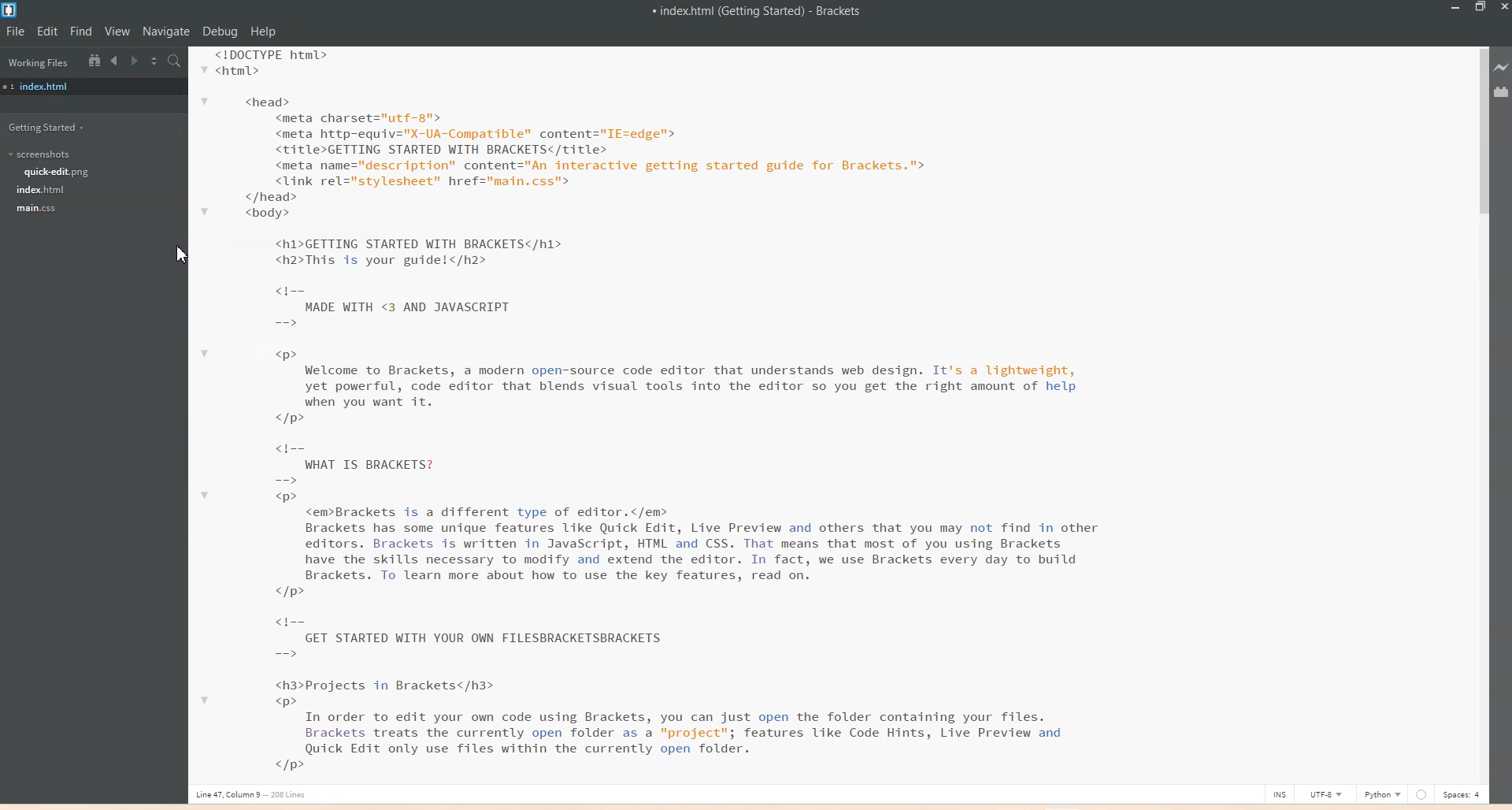 This screenshot has width=1512, height=810. Describe the element at coordinates (42, 190) in the screenshot. I see `index.html` at that location.